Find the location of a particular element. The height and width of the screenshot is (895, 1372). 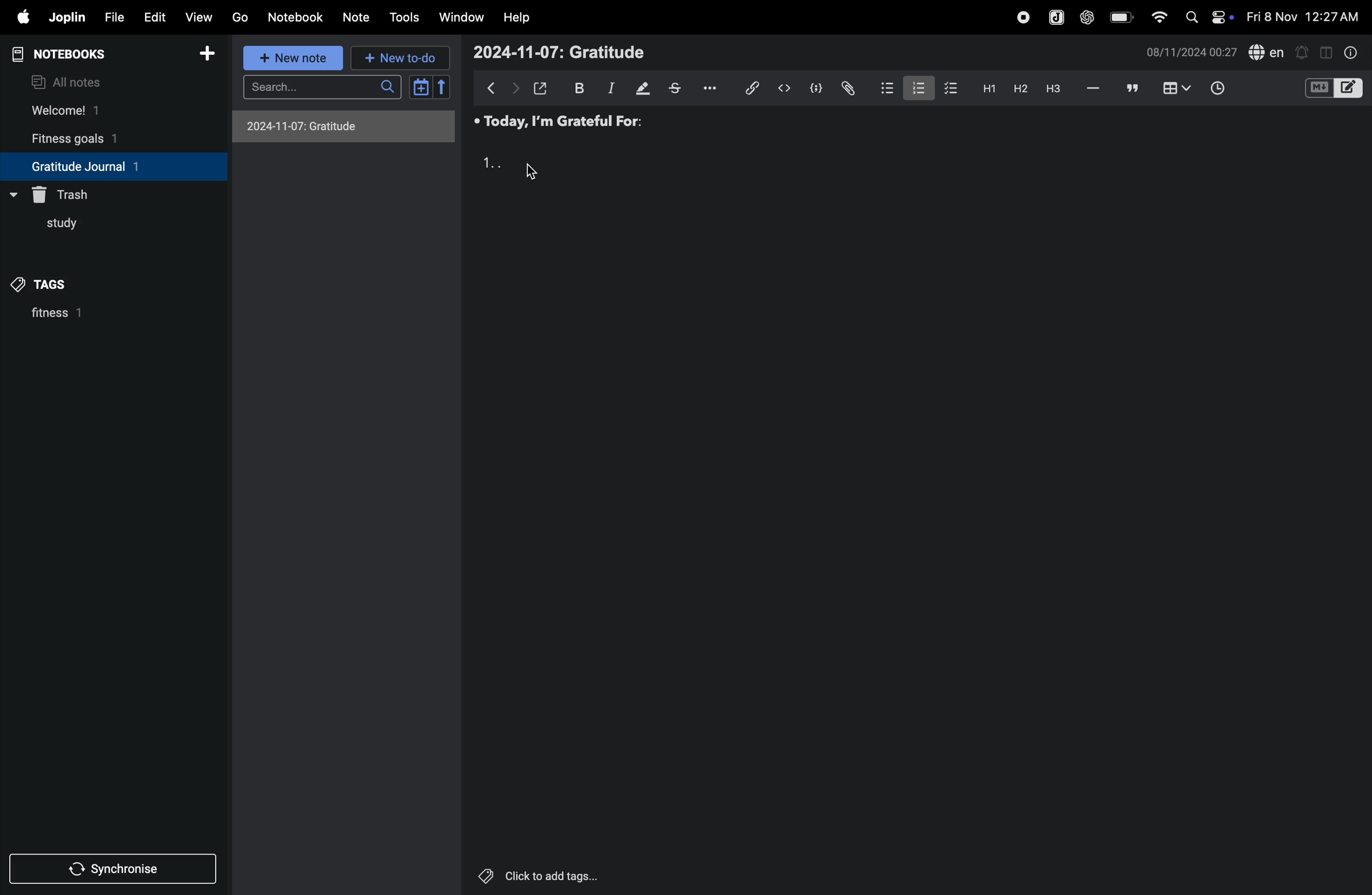

all notes is located at coordinates (70, 81).